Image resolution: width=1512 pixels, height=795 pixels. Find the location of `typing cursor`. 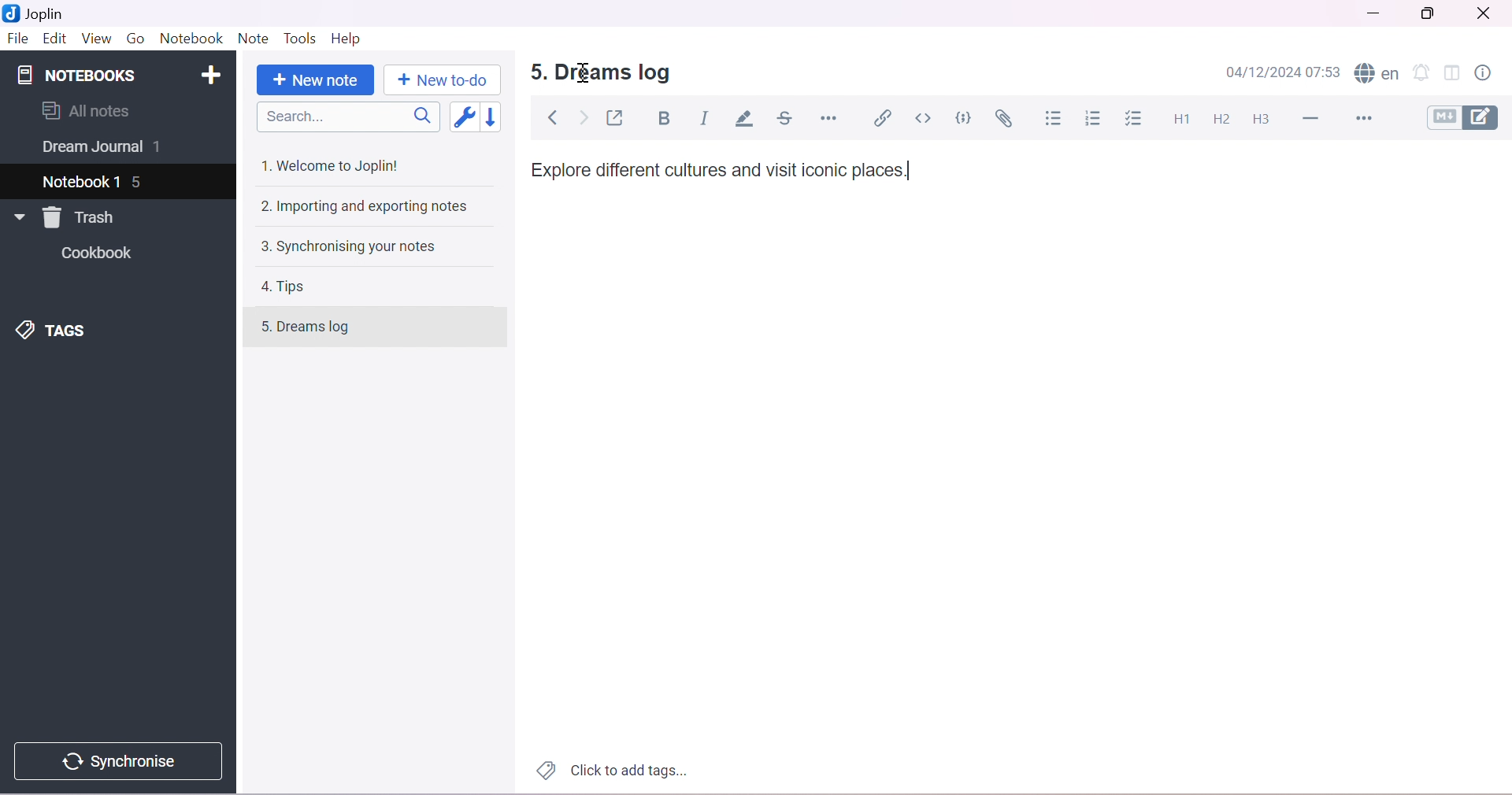

typing cursor is located at coordinates (909, 172).